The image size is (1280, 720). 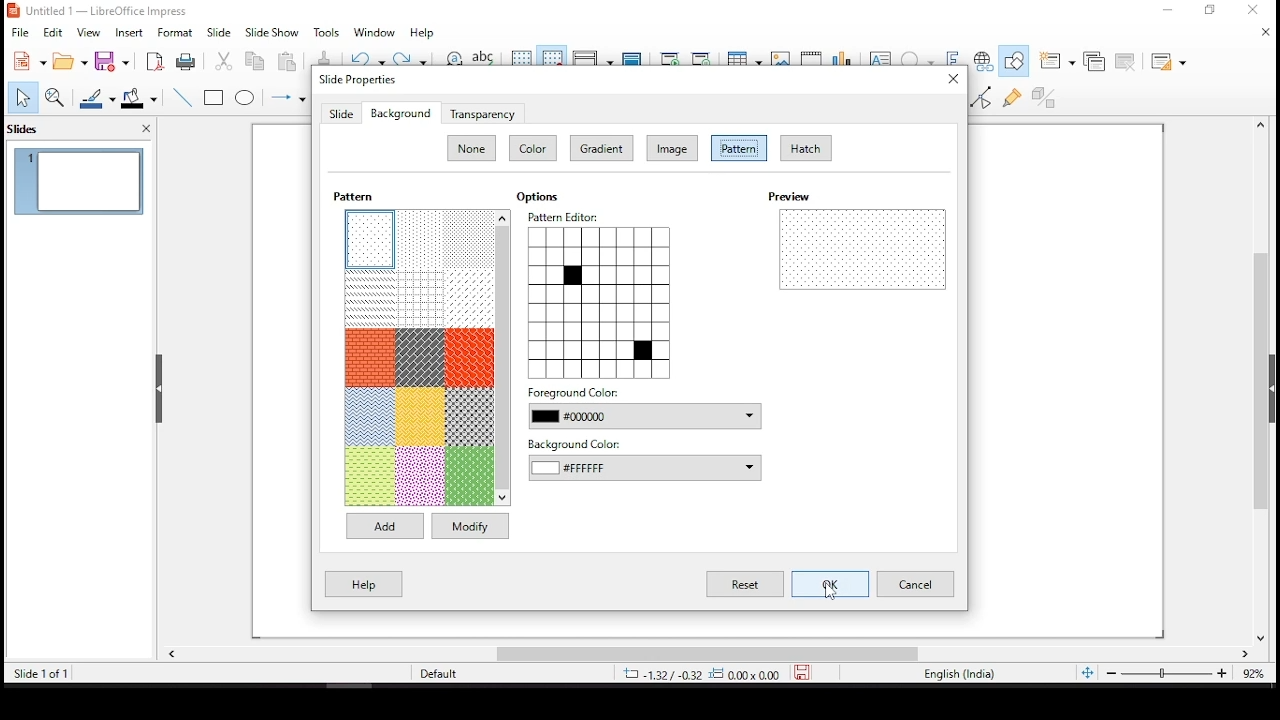 I want to click on pattern, so click(x=470, y=415).